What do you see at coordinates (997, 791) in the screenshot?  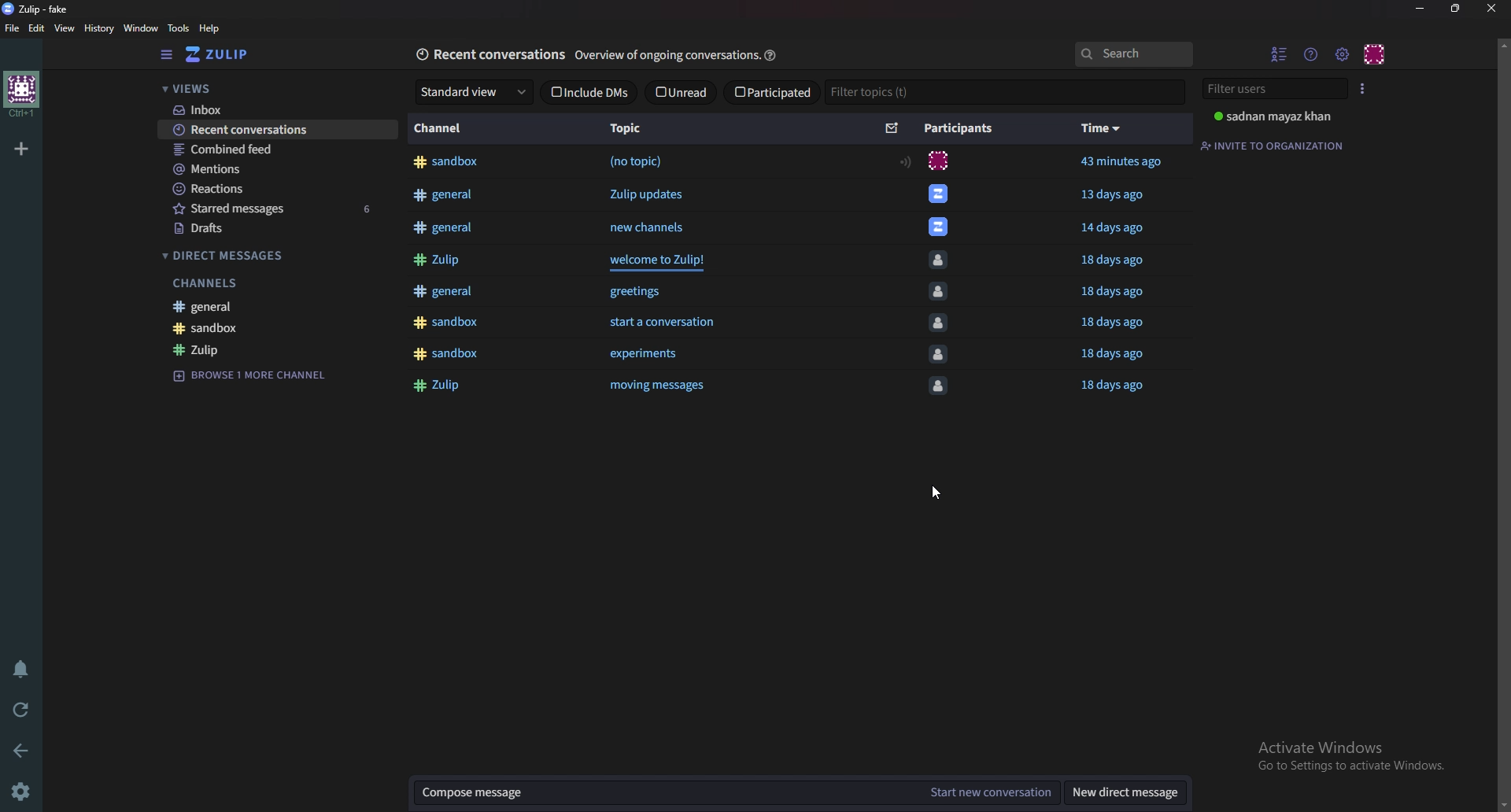 I see `Start new conversation` at bounding box center [997, 791].